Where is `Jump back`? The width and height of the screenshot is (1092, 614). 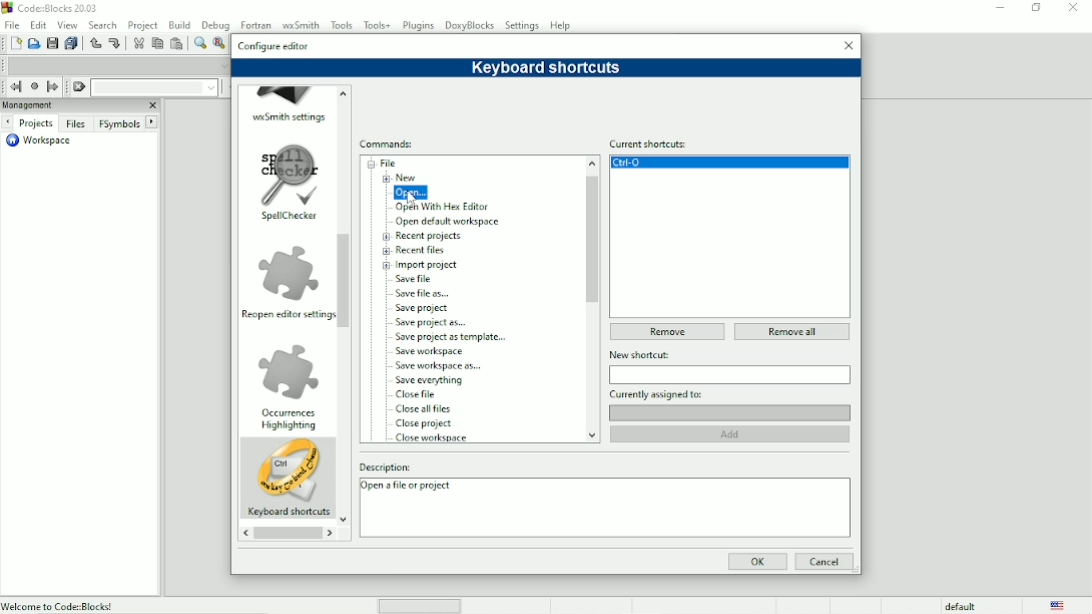
Jump back is located at coordinates (14, 87).